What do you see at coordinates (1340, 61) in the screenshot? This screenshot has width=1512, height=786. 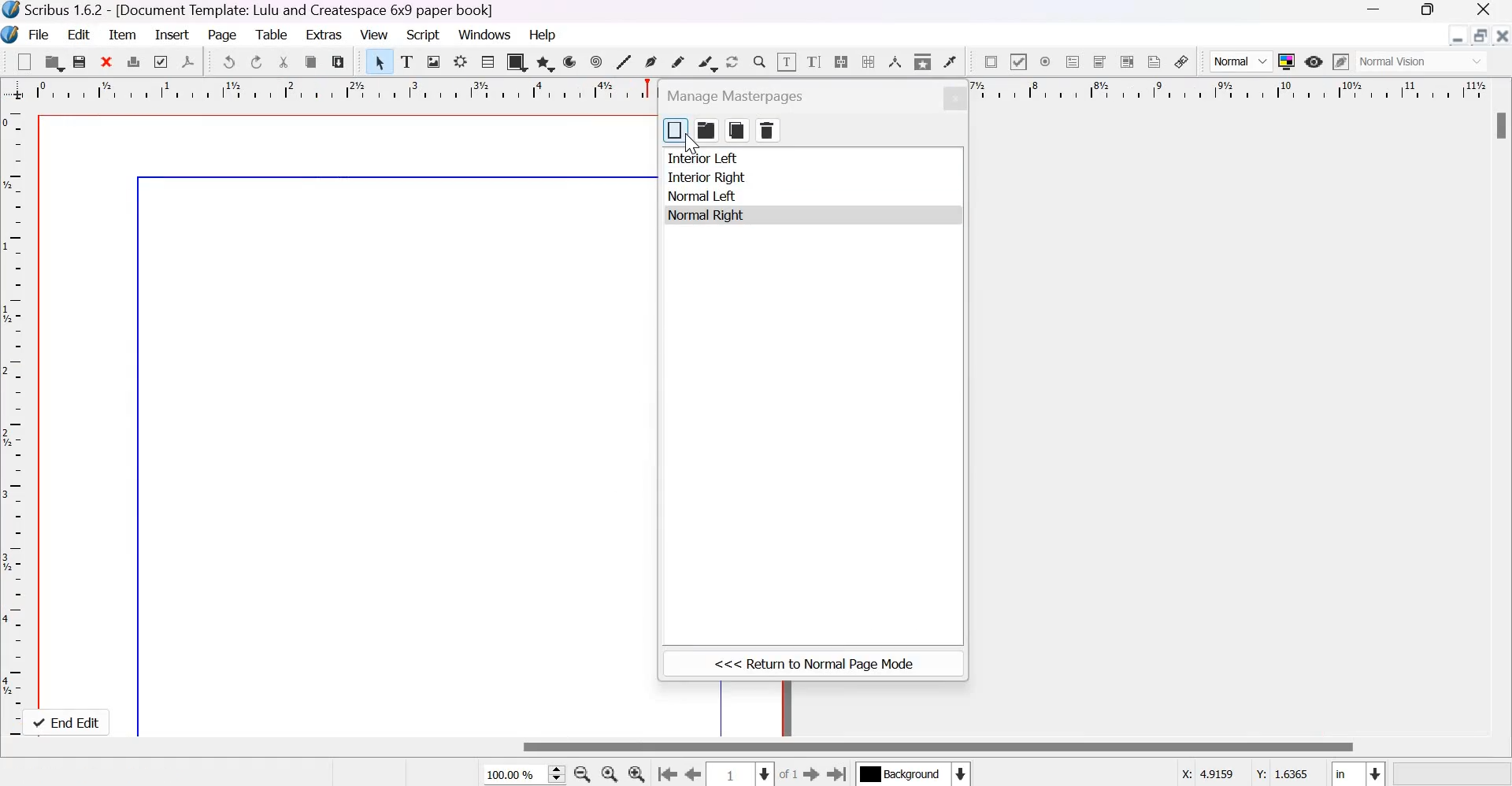 I see `Edit in preview mode` at bounding box center [1340, 61].